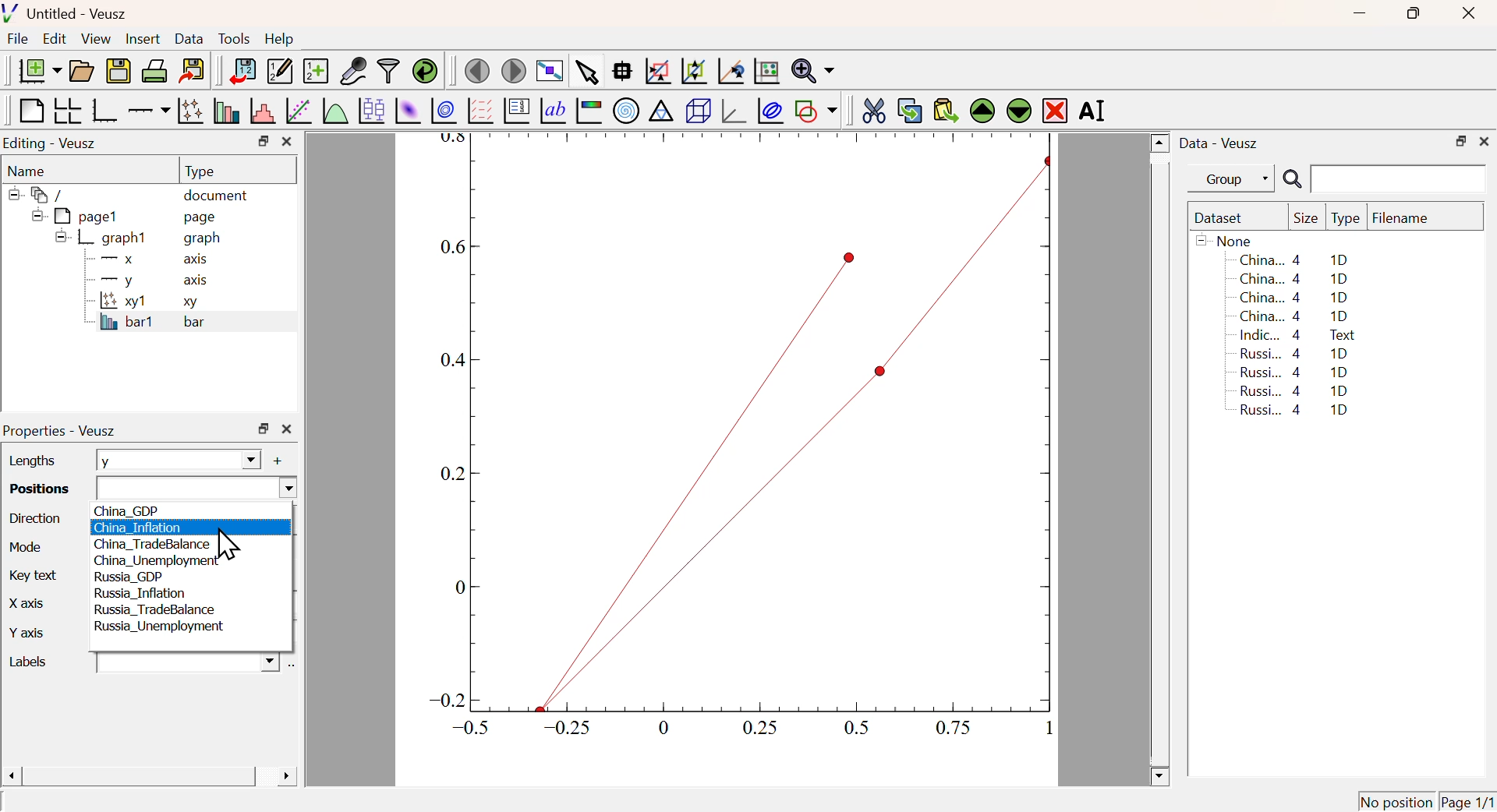 This screenshot has width=1497, height=812. Describe the element at coordinates (35, 517) in the screenshot. I see `Direction` at that location.